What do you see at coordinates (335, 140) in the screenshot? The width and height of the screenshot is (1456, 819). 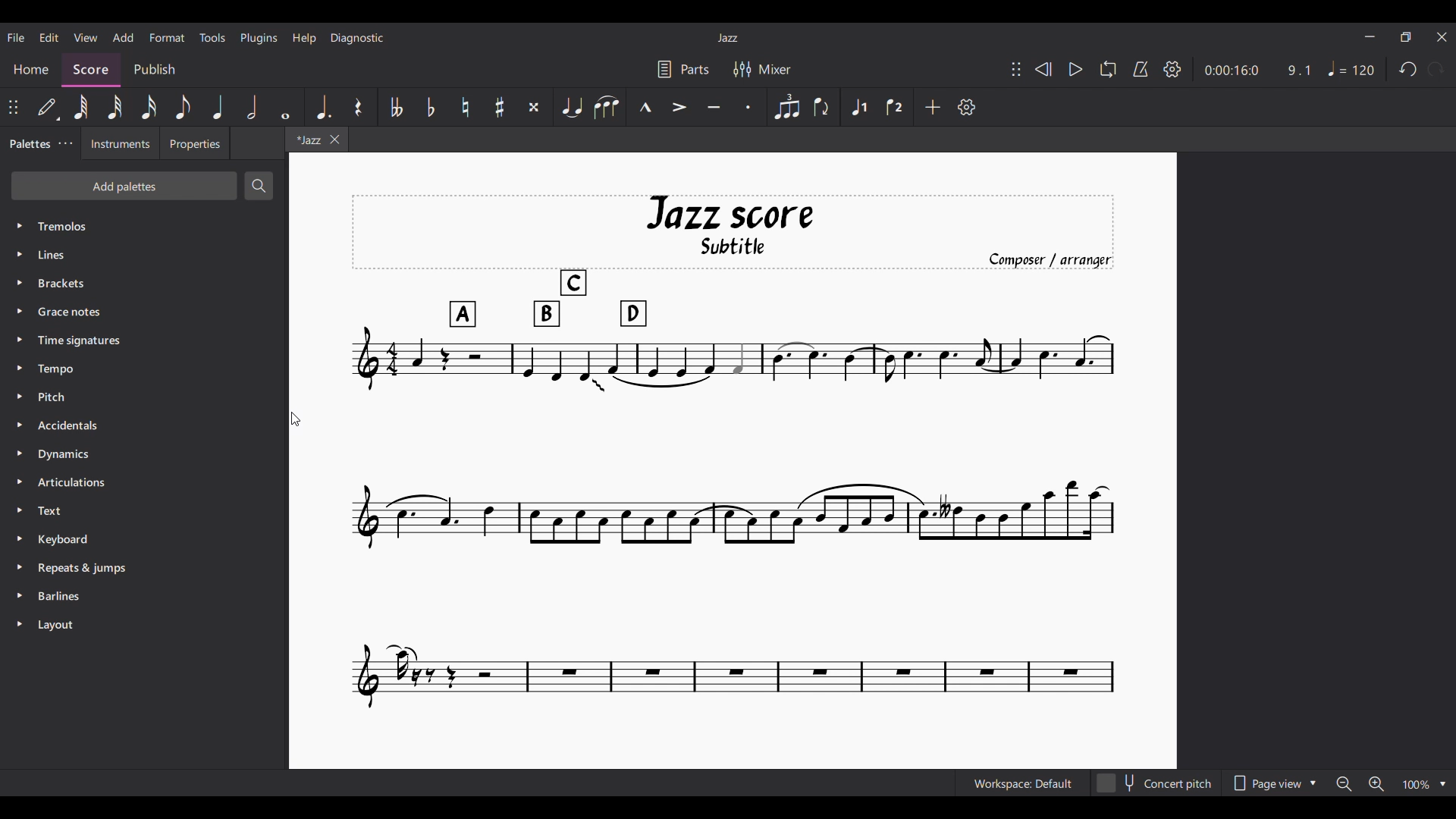 I see `Close tab` at bounding box center [335, 140].